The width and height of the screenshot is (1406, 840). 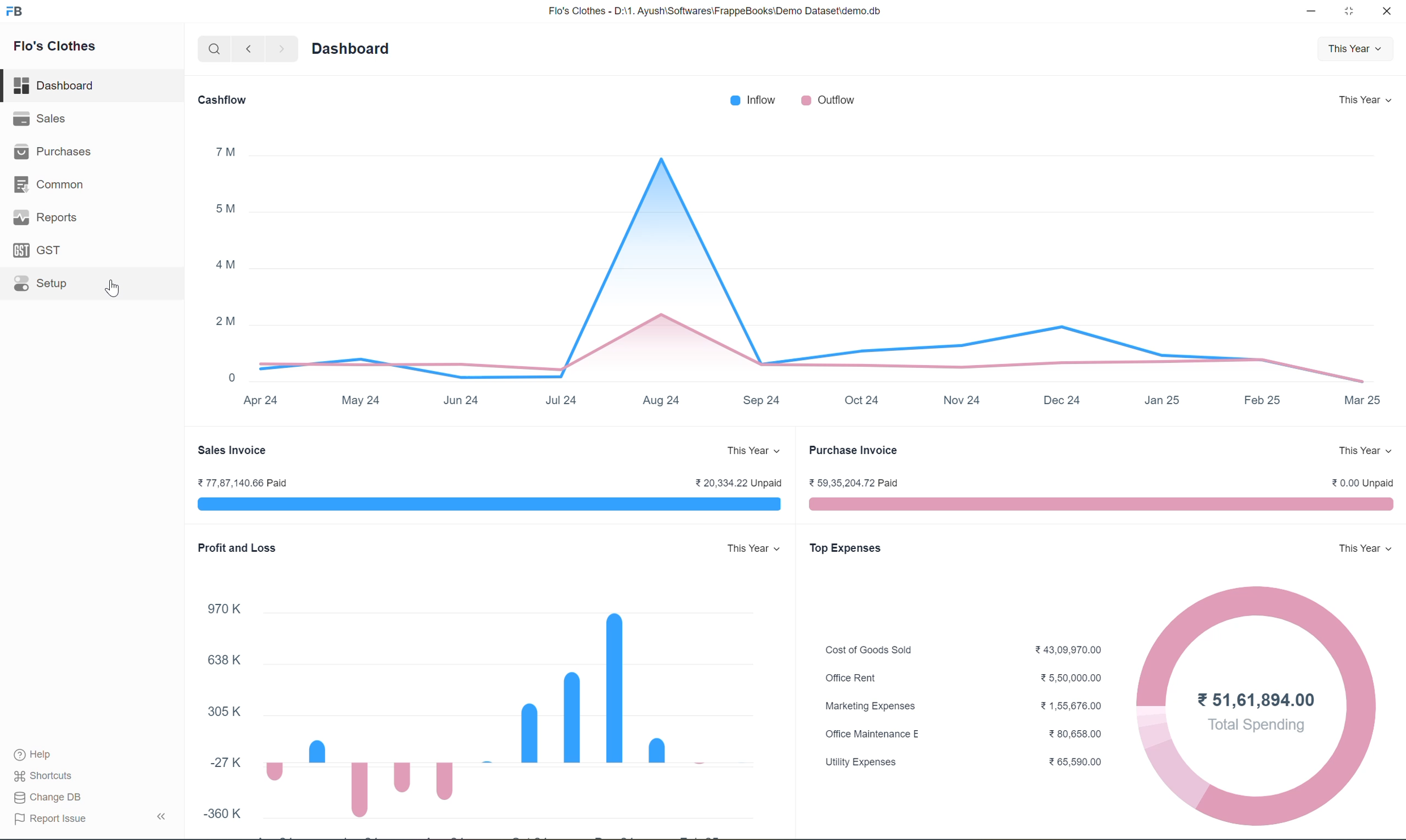 I want to click on ¥77,87,140.66 Paid, so click(x=243, y=483).